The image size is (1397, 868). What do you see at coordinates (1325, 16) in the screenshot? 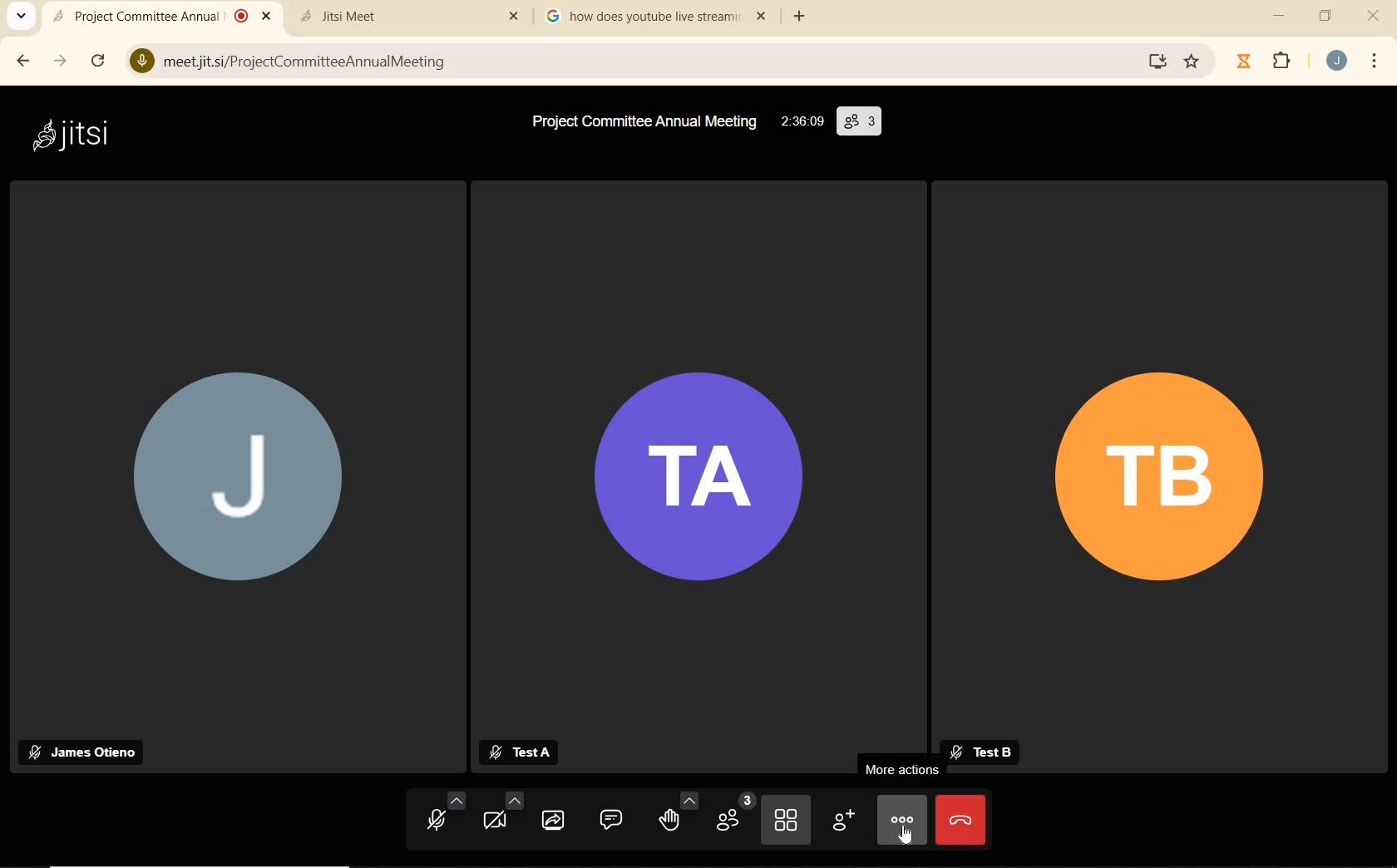
I see `RESTORE DOWN` at bounding box center [1325, 16].